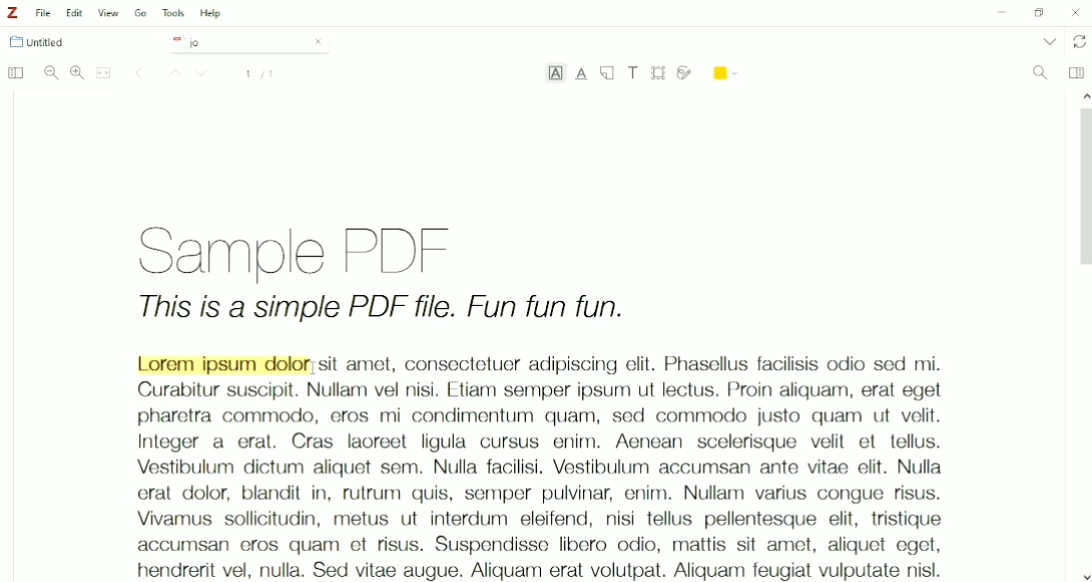  Describe the element at coordinates (382, 310) in the screenshot. I see `This is a simple PDF file. Fun fun fun.` at that location.